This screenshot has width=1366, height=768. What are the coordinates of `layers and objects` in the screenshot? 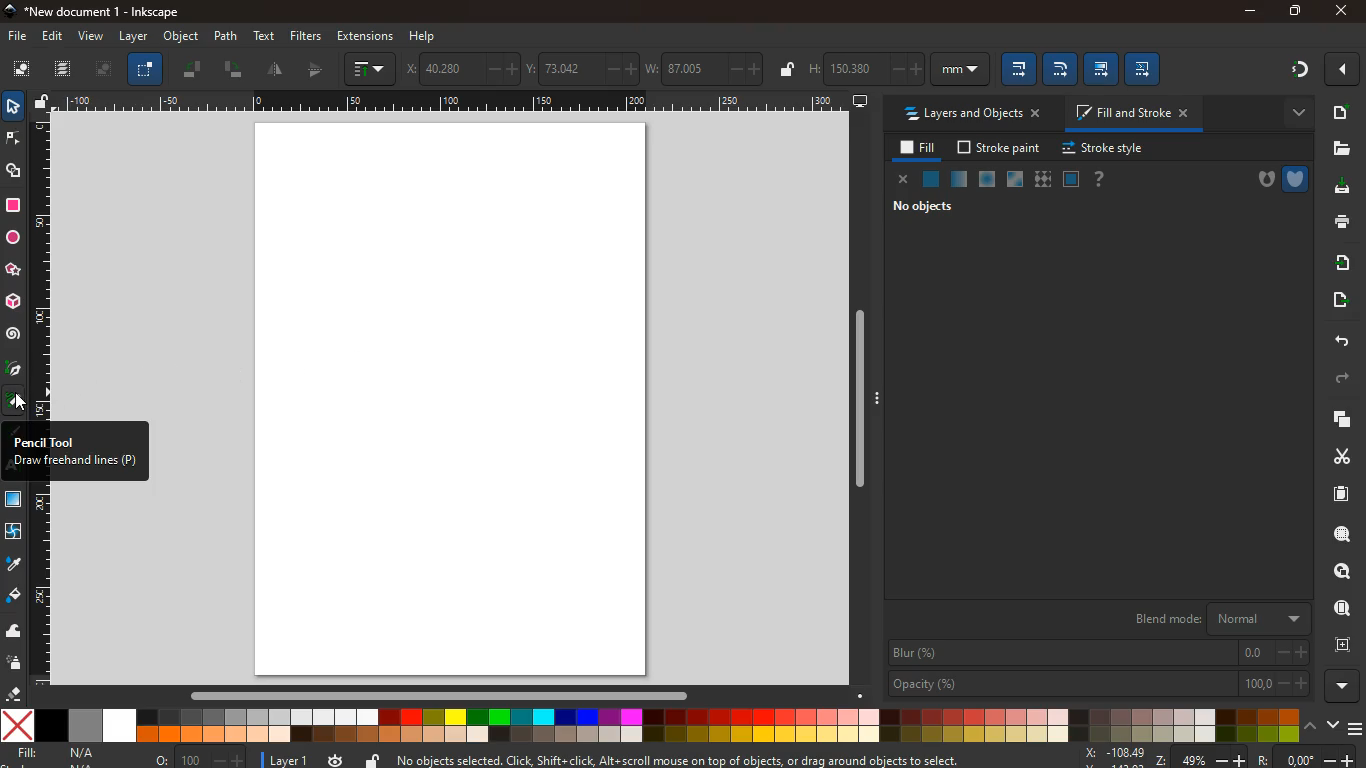 It's located at (970, 113).